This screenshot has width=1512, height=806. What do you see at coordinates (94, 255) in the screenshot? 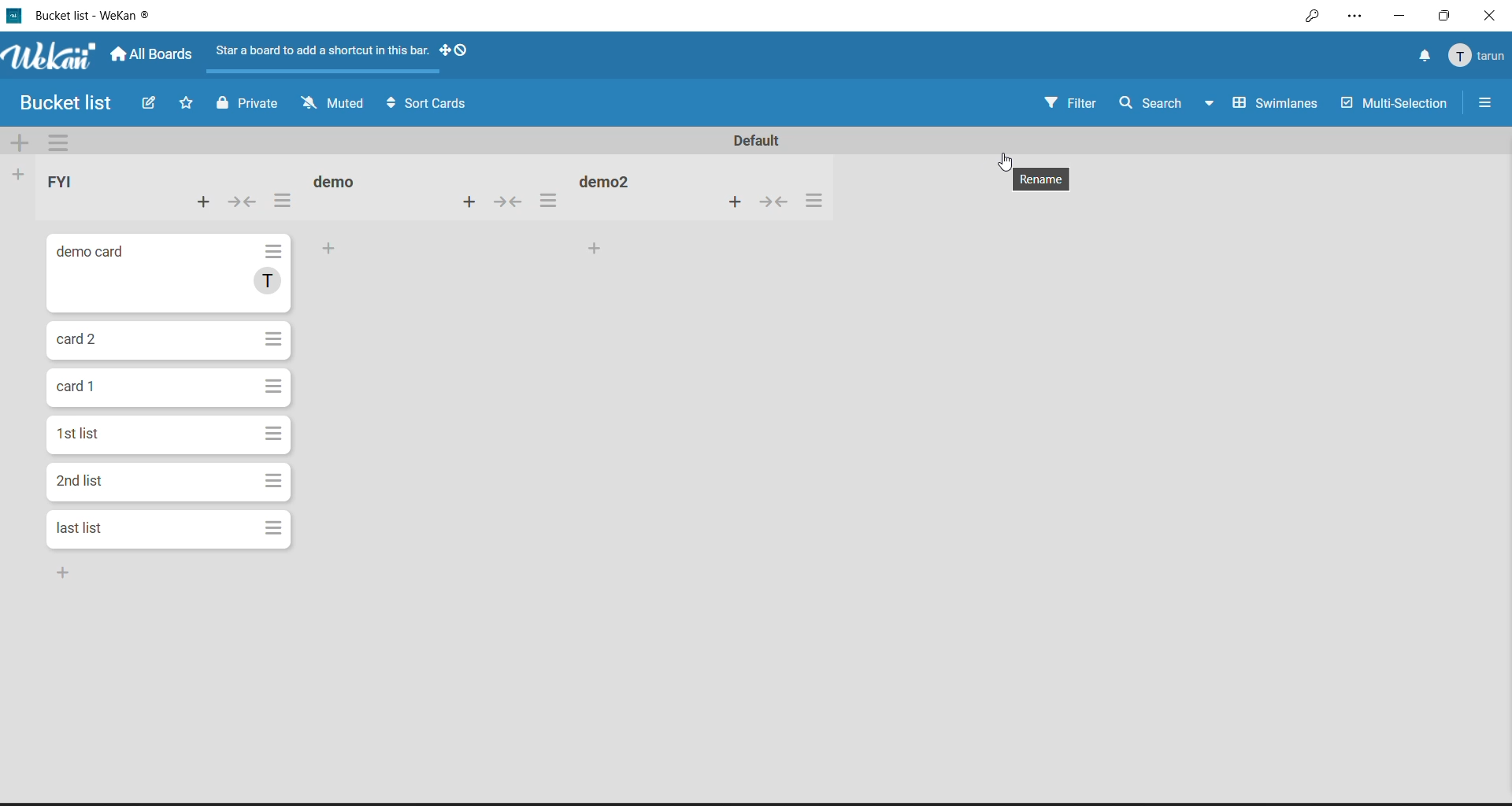
I see `card title` at bounding box center [94, 255].